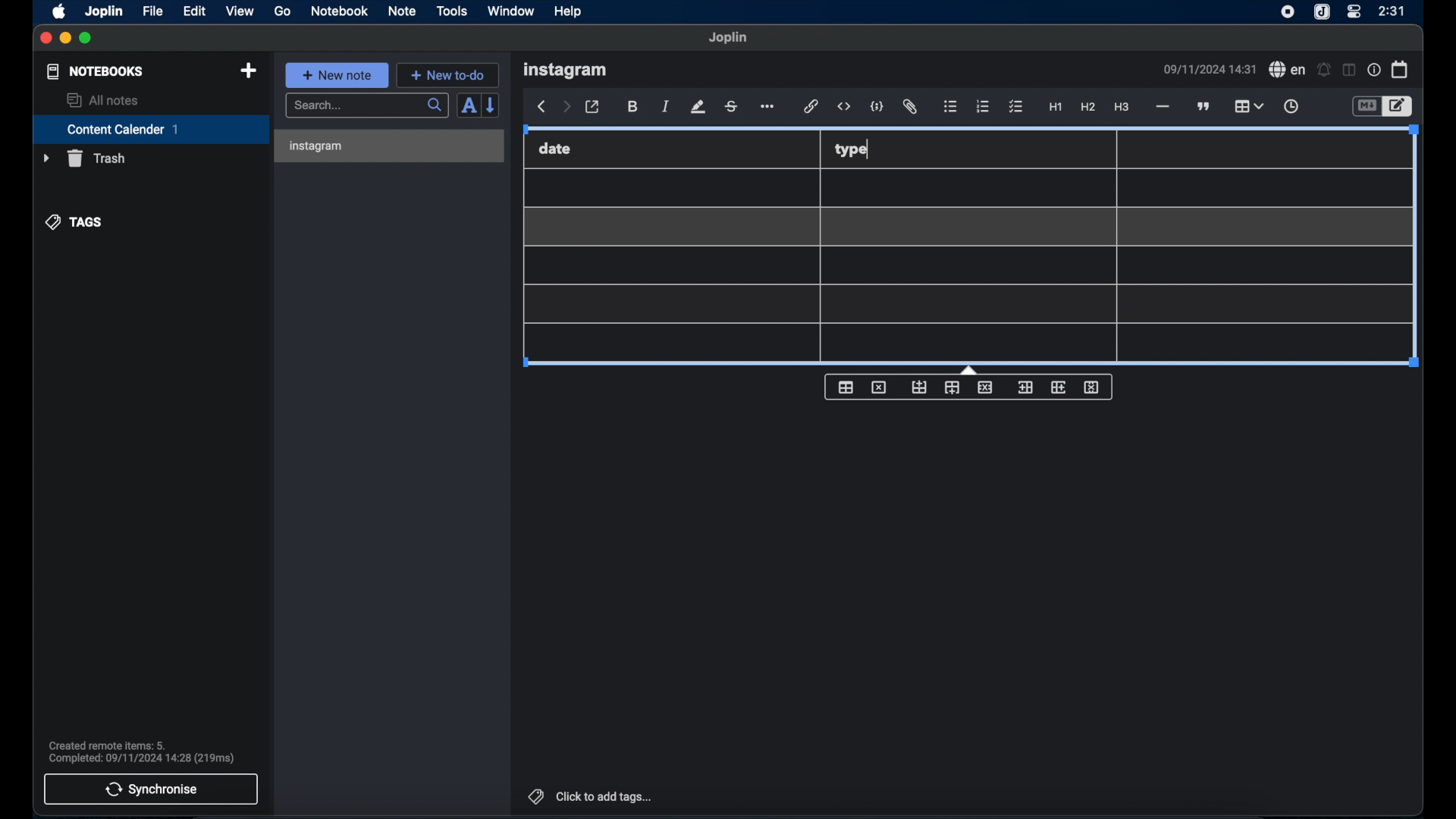 The width and height of the screenshot is (1456, 819). What do you see at coordinates (45, 39) in the screenshot?
I see `close` at bounding box center [45, 39].